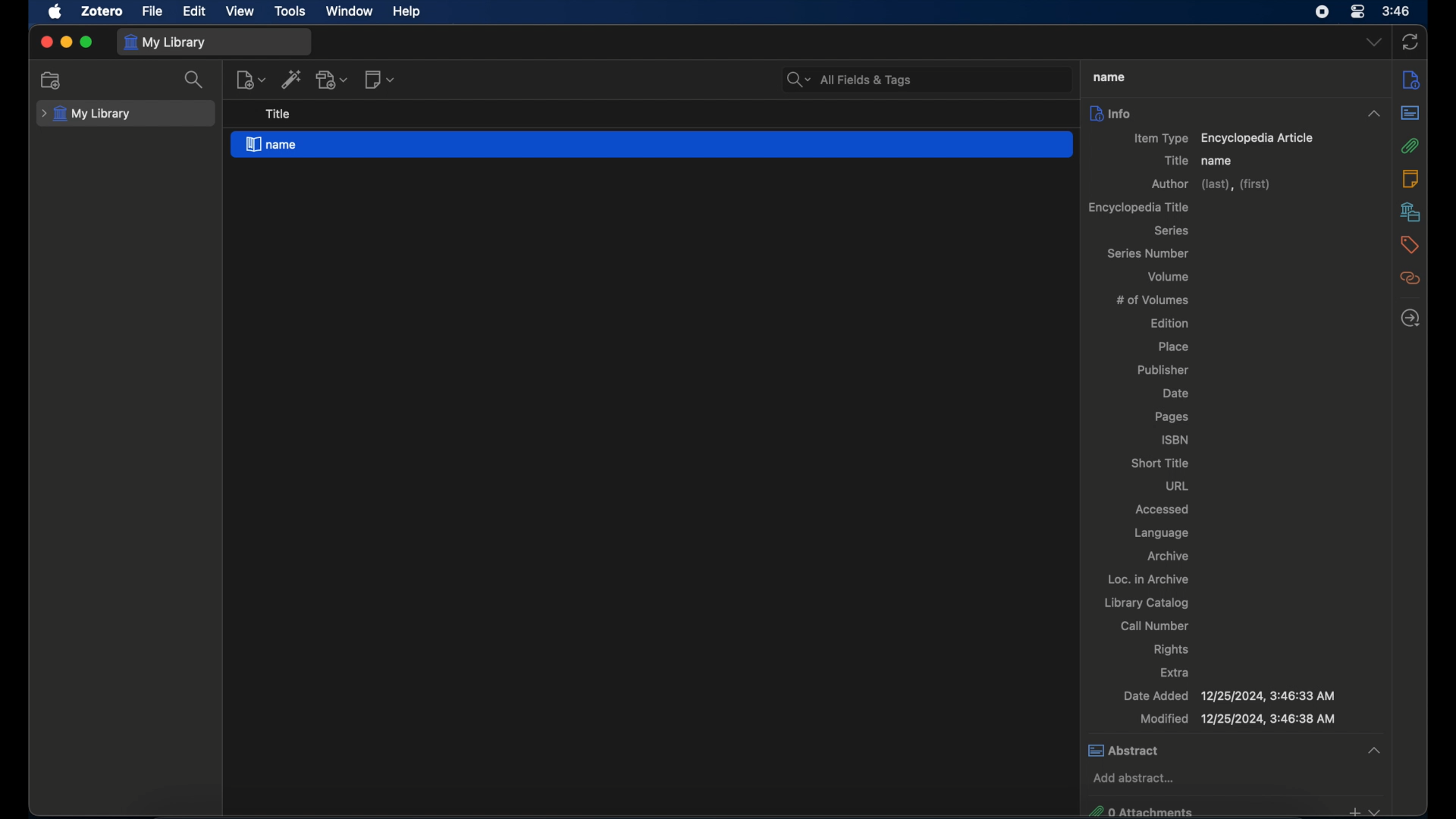 The height and width of the screenshot is (819, 1456). Describe the element at coordinates (194, 79) in the screenshot. I see `search` at that location.